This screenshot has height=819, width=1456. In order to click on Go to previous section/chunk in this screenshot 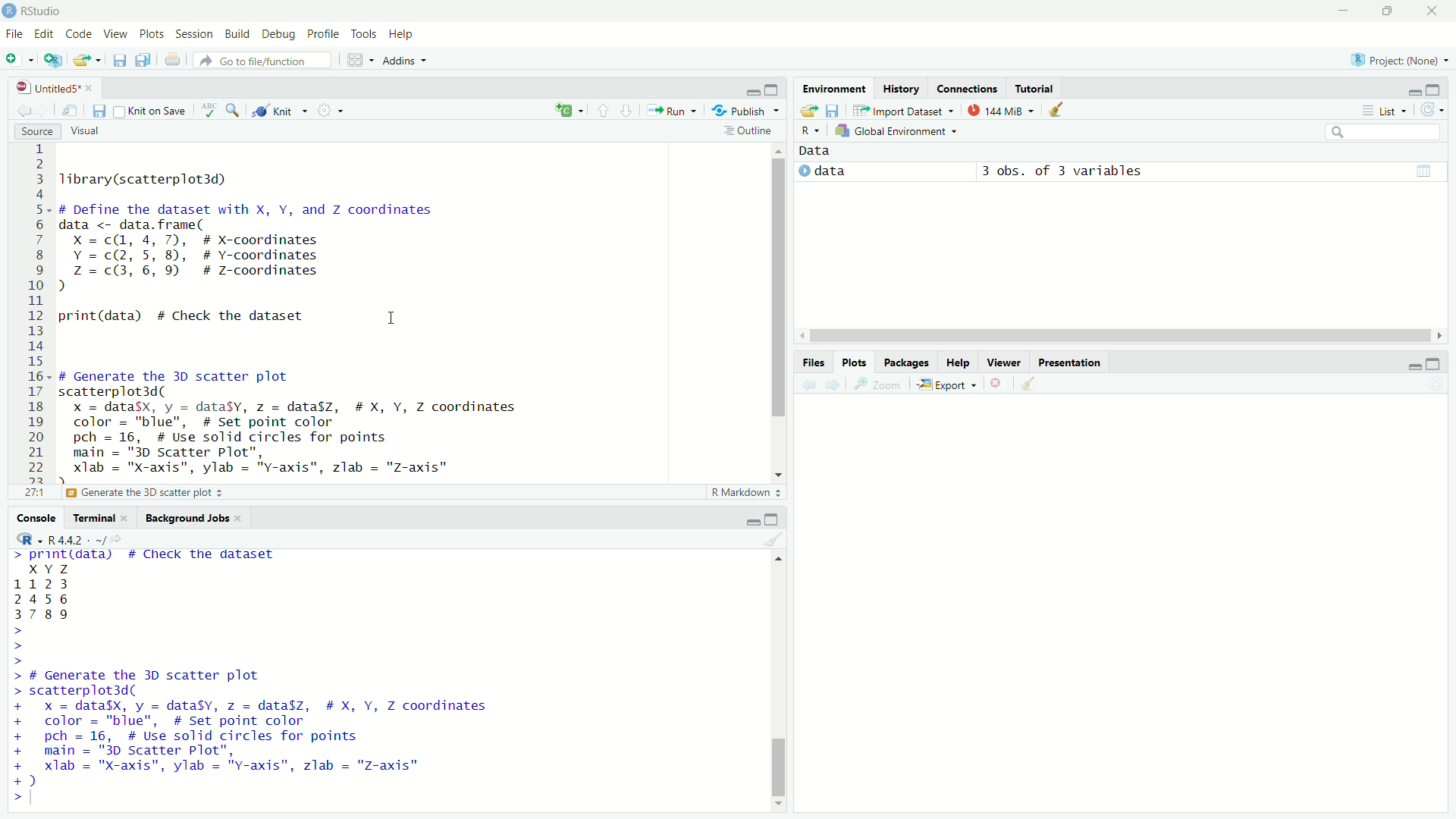, I will do `click(606, 108)`.